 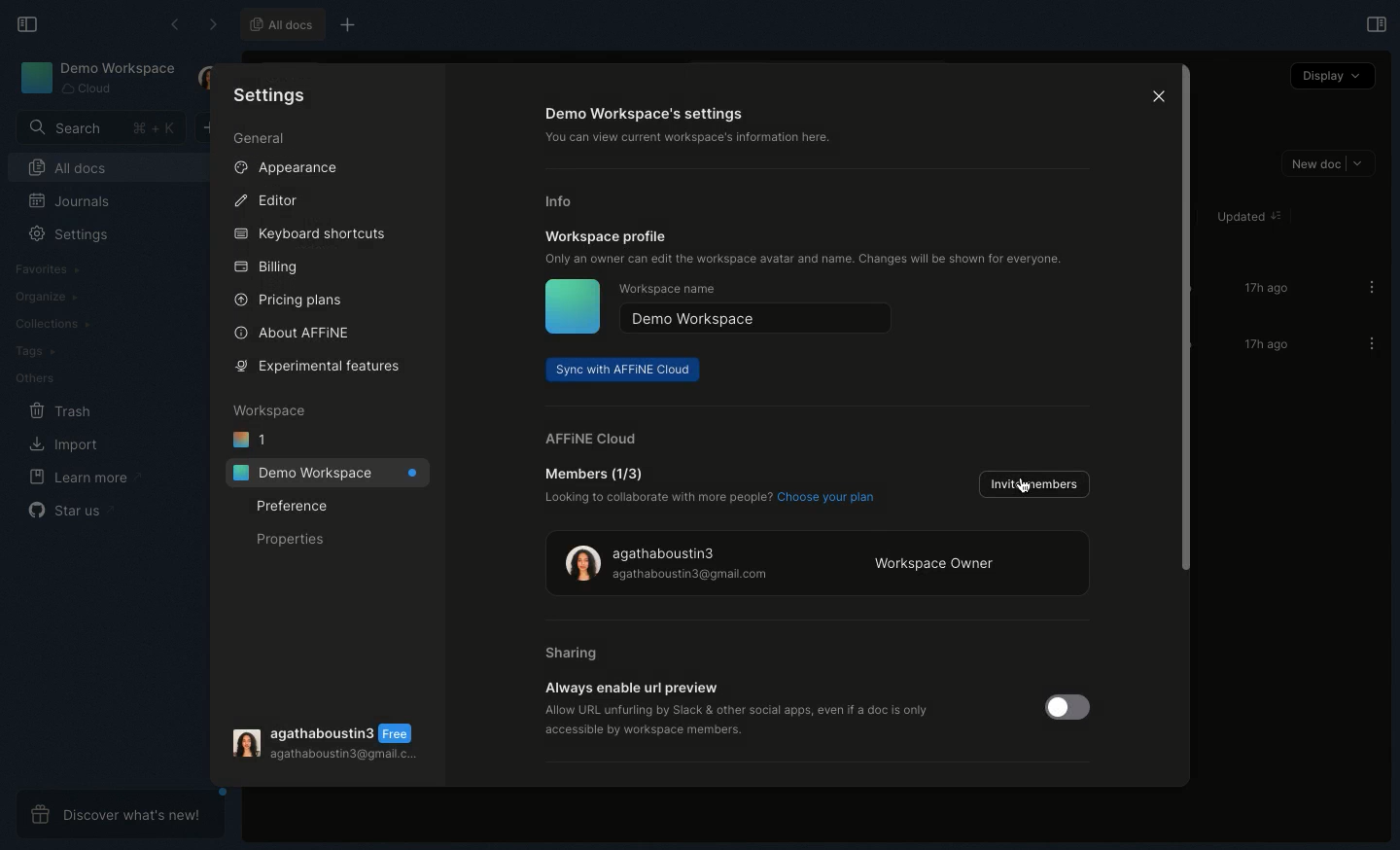 I want to click on Demo workspace, so click(x=754, y=319).